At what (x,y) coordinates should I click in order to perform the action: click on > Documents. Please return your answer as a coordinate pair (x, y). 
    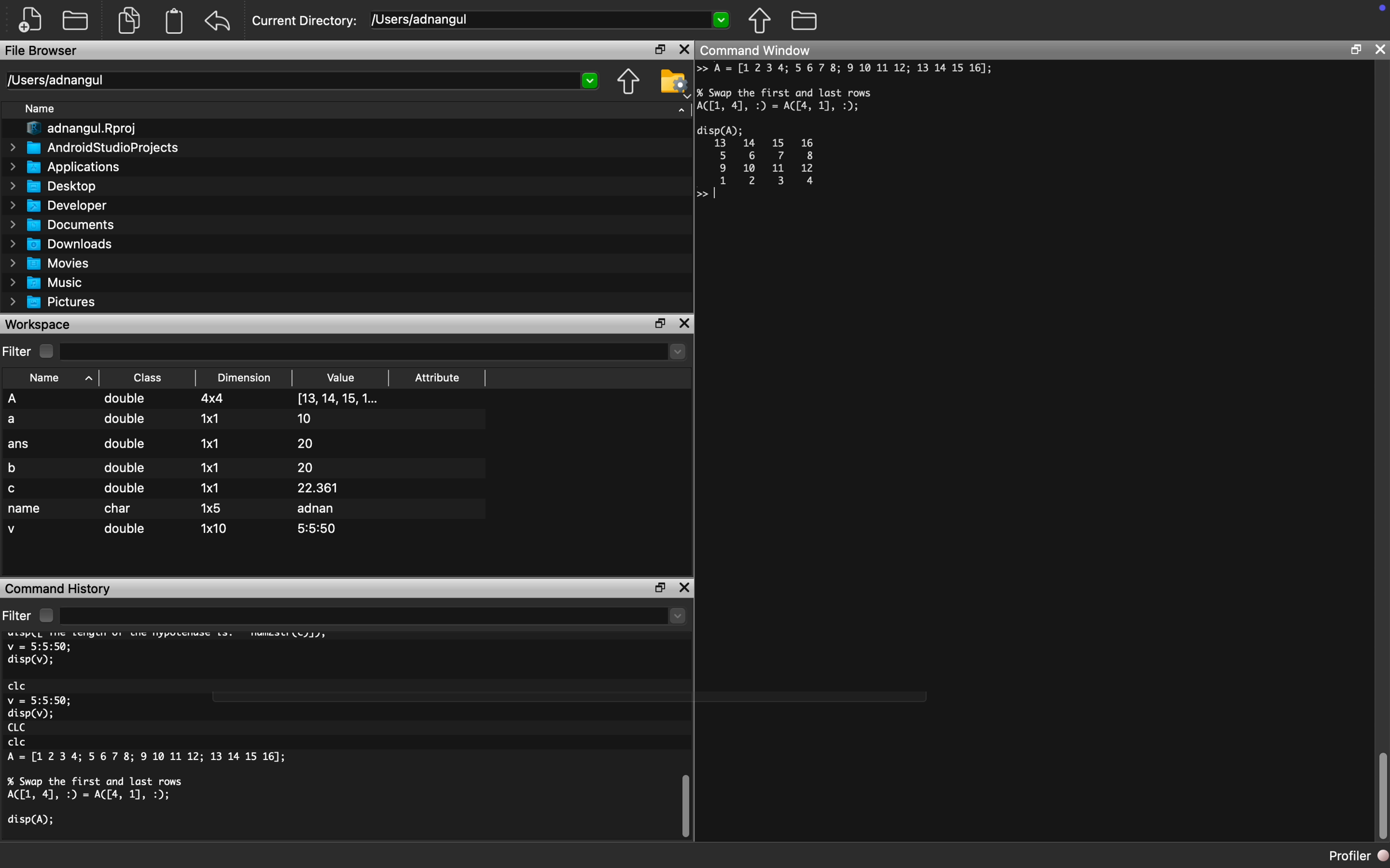
    Looking at the image, I should click on (63, 225).